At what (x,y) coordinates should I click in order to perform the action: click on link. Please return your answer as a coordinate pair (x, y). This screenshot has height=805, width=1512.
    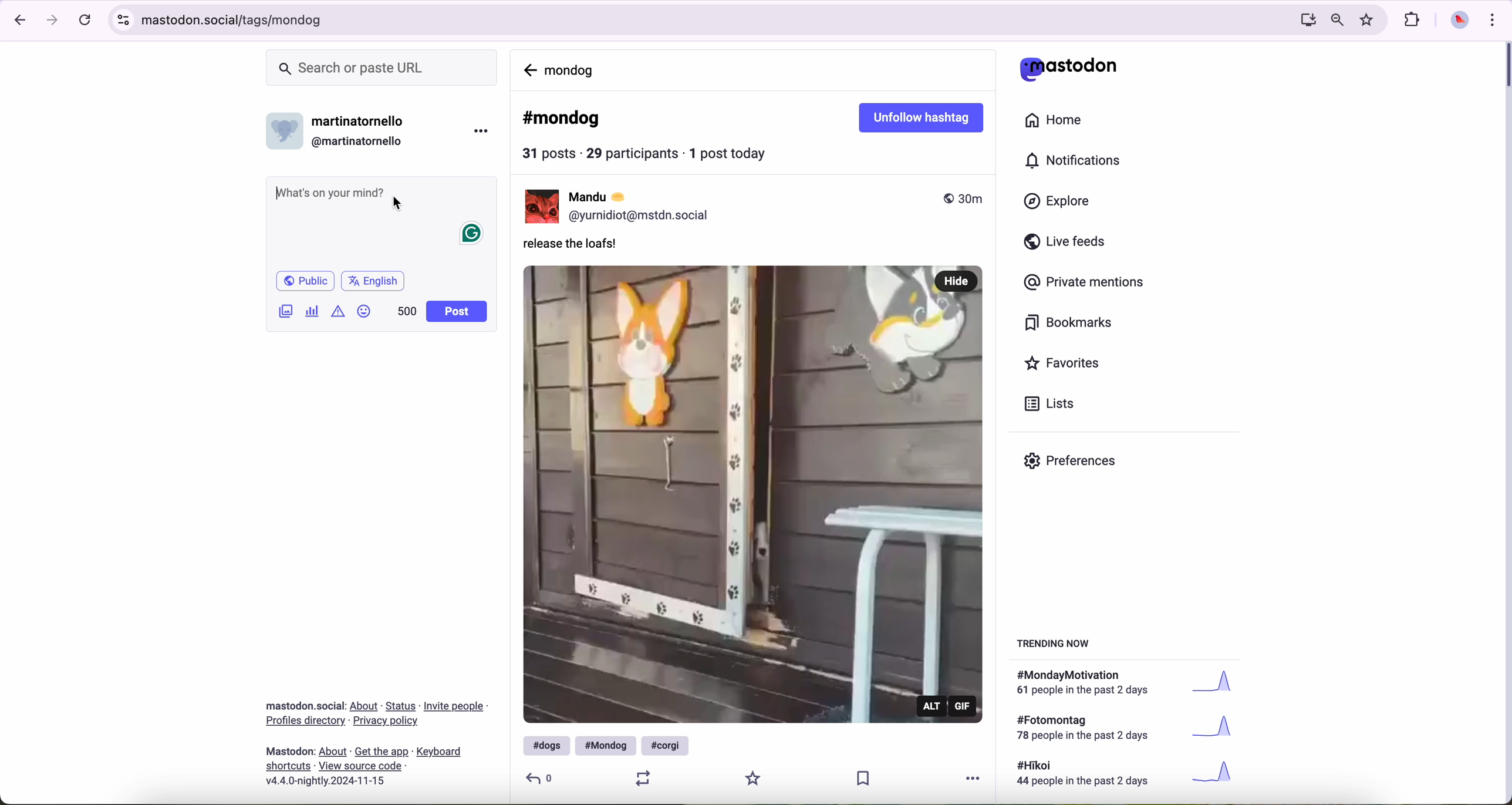
    Looking at the image, I should click on (305, 722).